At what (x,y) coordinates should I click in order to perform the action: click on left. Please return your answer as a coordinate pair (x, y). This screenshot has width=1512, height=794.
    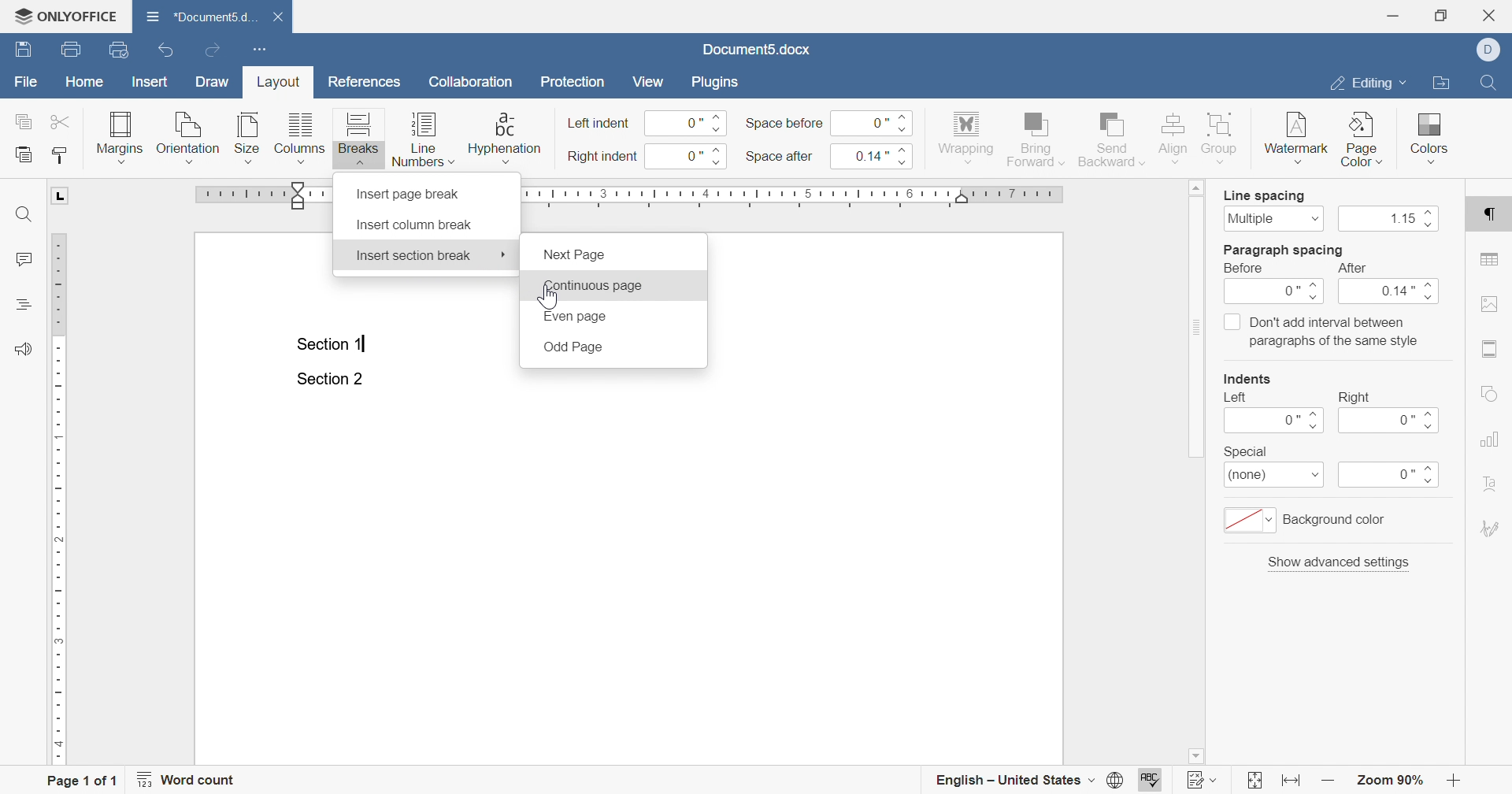
    Looking at the image, I should click on (1236, 398).